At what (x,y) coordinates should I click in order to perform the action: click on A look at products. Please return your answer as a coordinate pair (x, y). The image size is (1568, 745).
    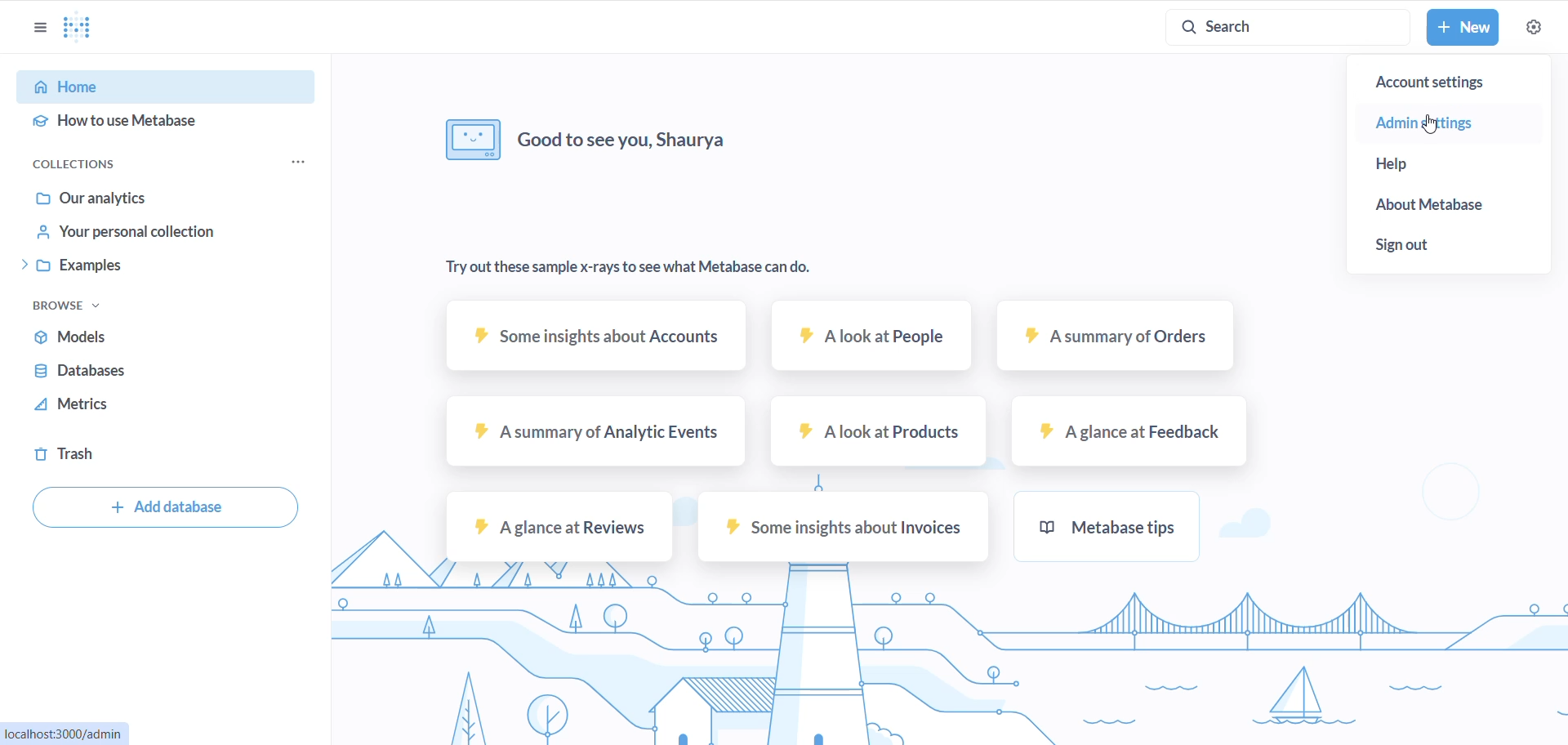
    Looking at the image, I should click on (879, 432).